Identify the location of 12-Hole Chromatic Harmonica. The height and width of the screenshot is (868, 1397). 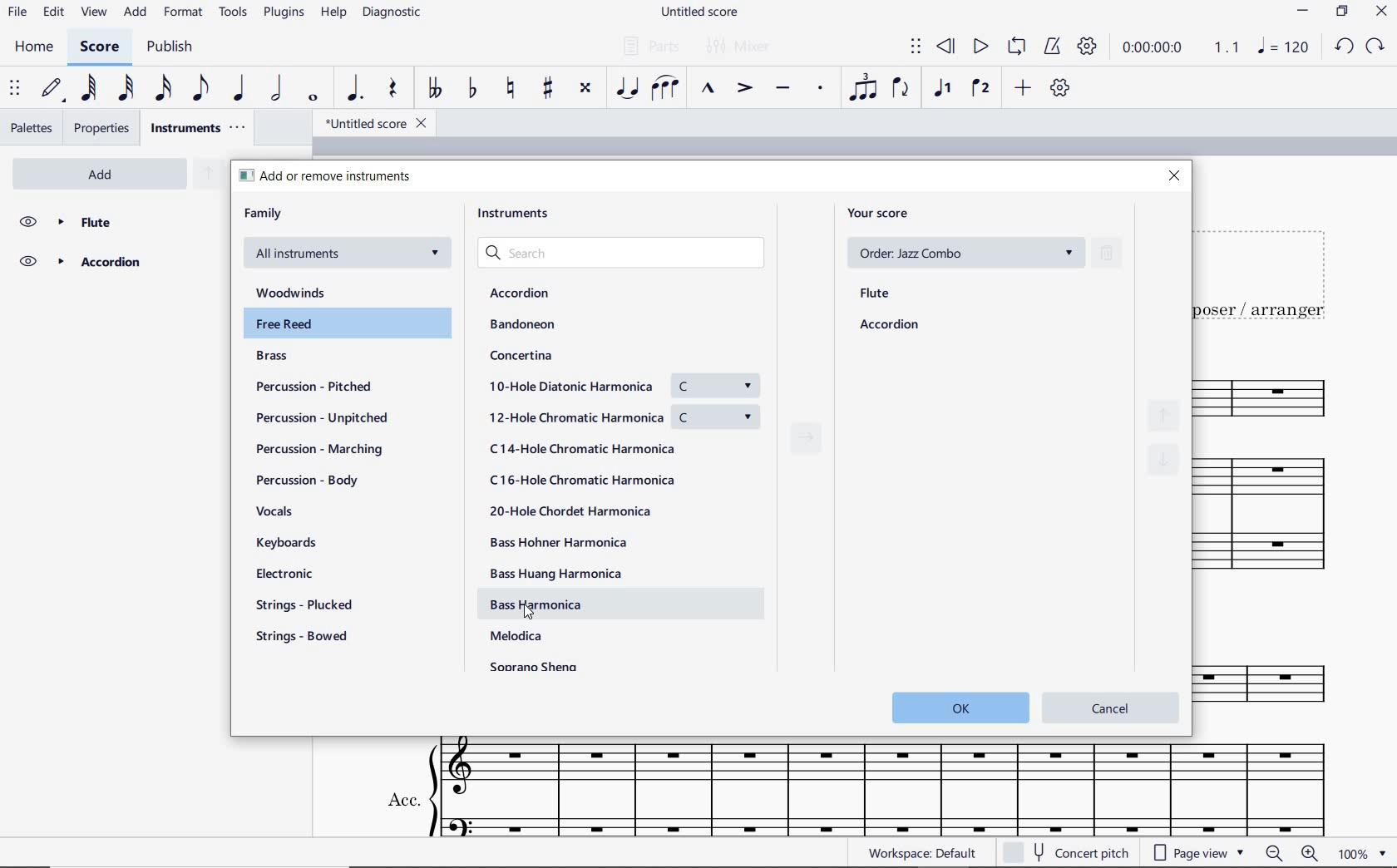
(623, 418).